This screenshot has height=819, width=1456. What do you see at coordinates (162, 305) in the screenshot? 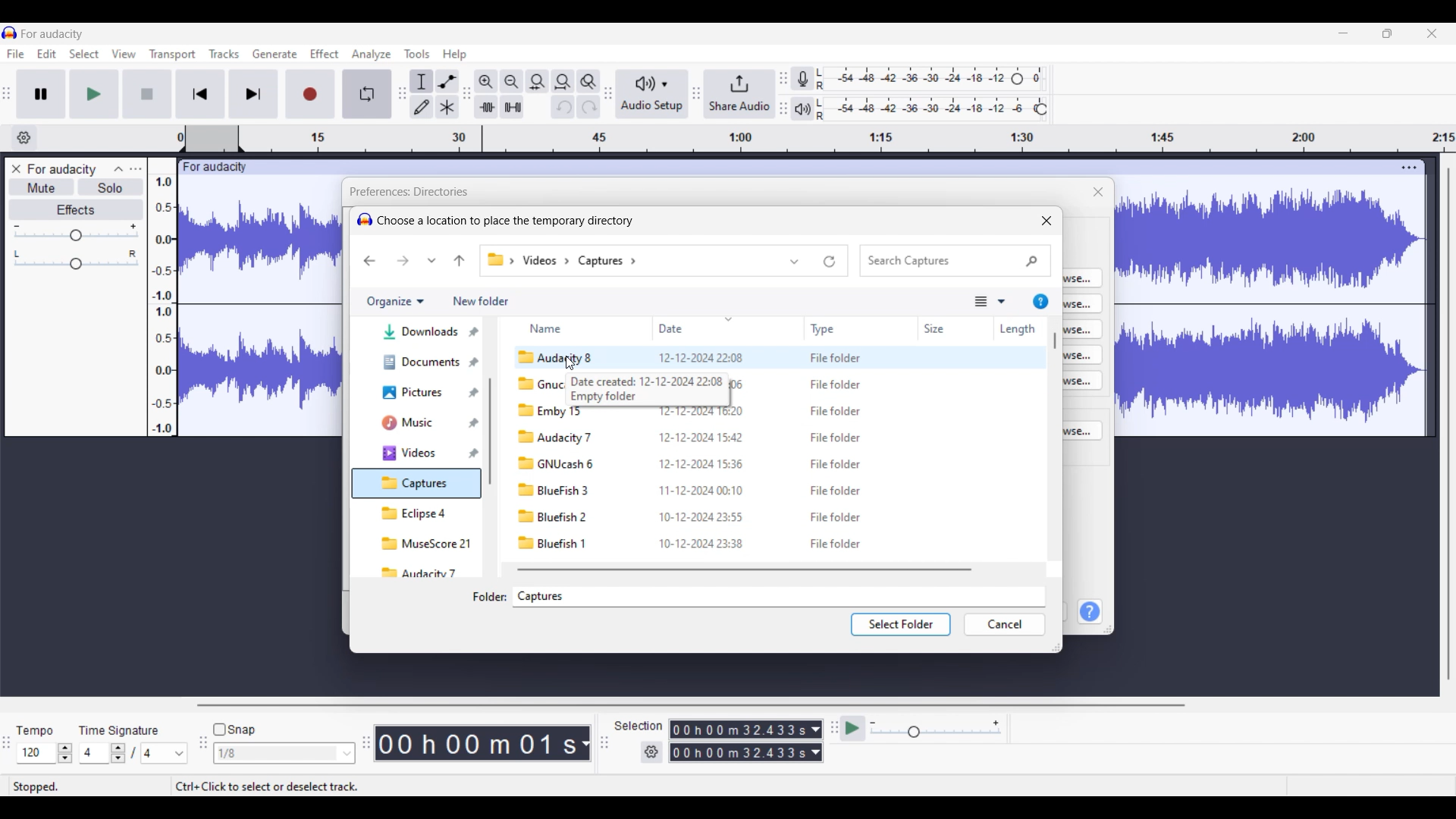
I see `Scale to measure track intensity` at bounding box center [162, 305].